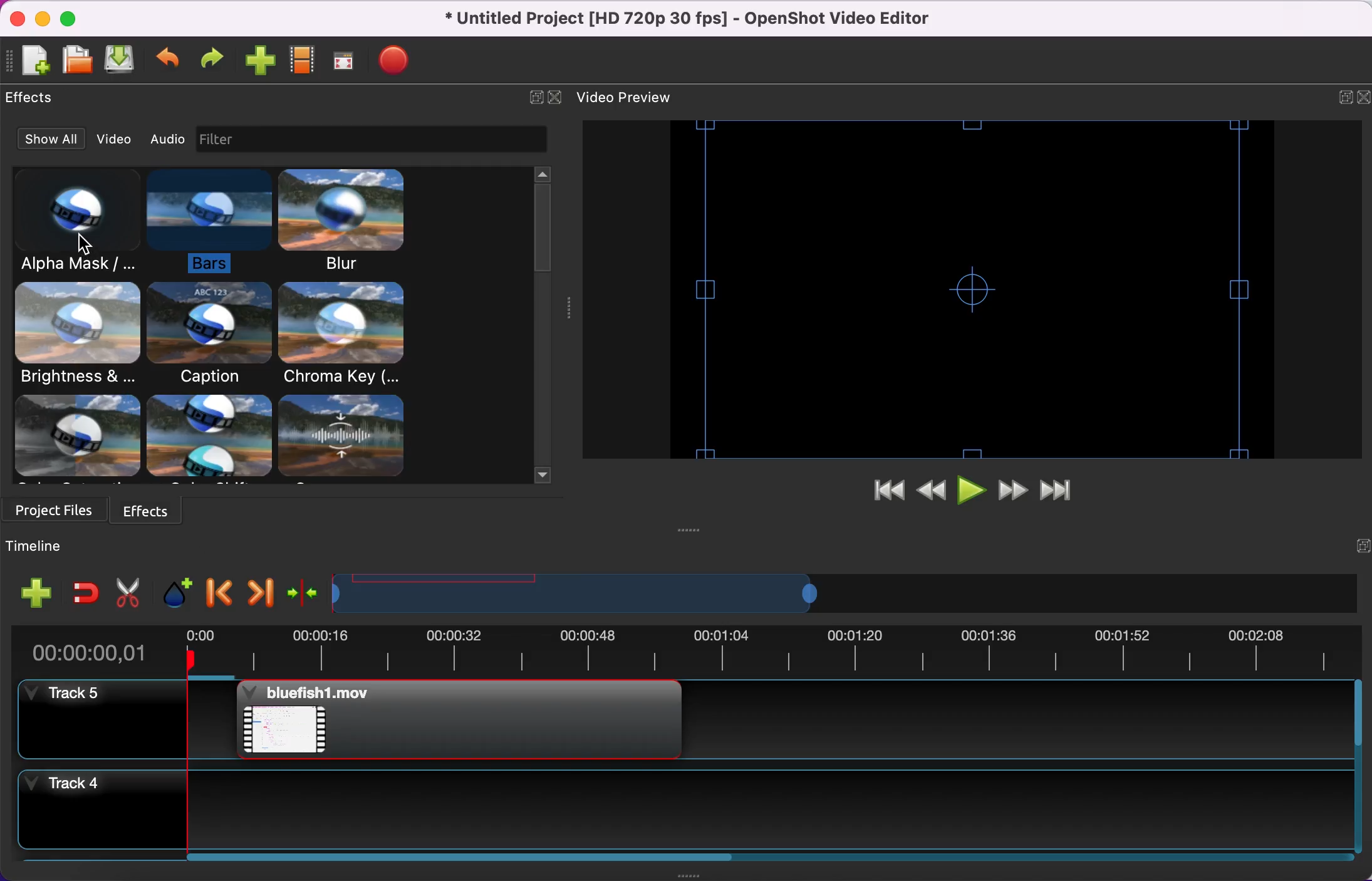  Describe the element at coordinates (690, 726) in the screenshot. I see `track 5` at that location.